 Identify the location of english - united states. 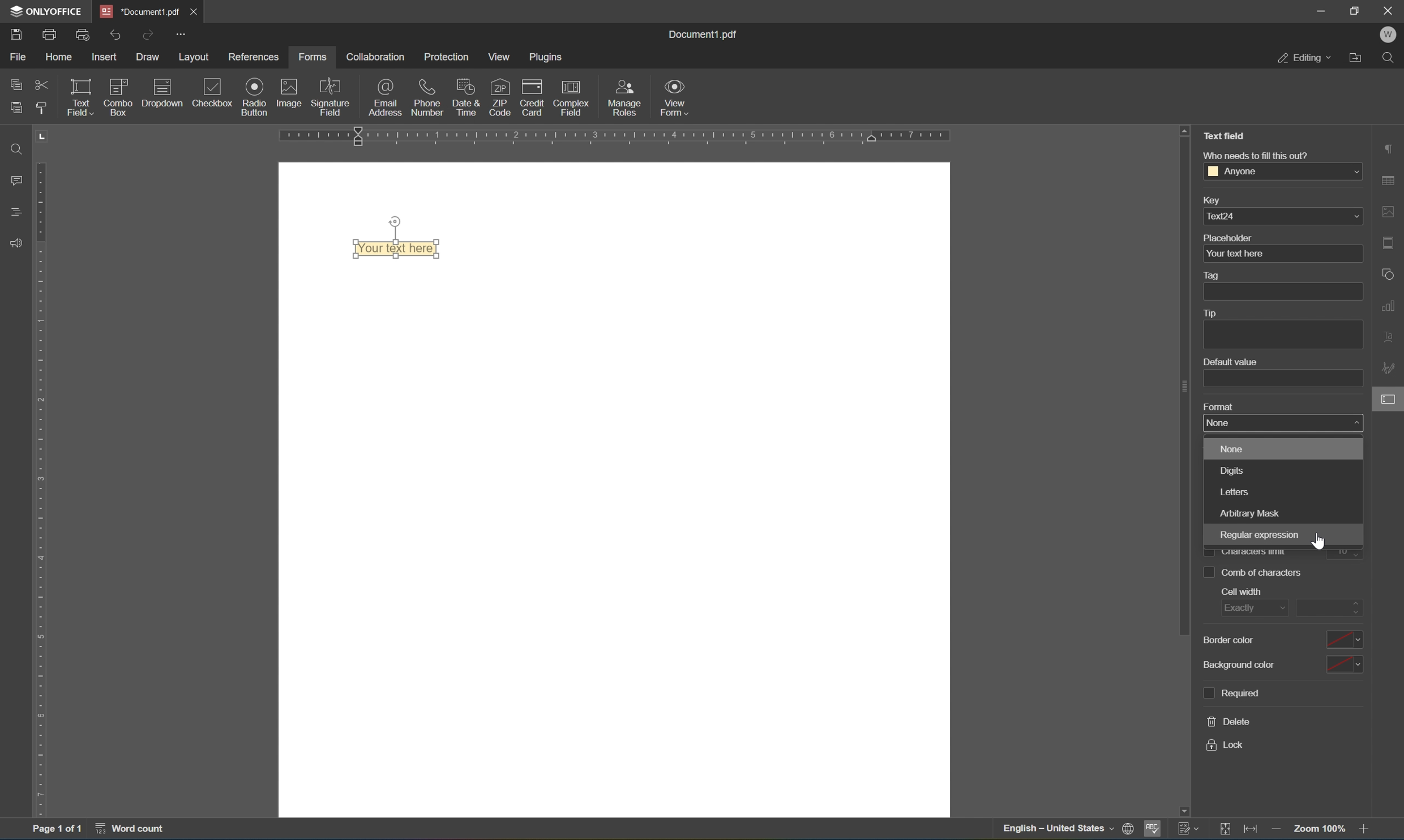
(1060, 830).